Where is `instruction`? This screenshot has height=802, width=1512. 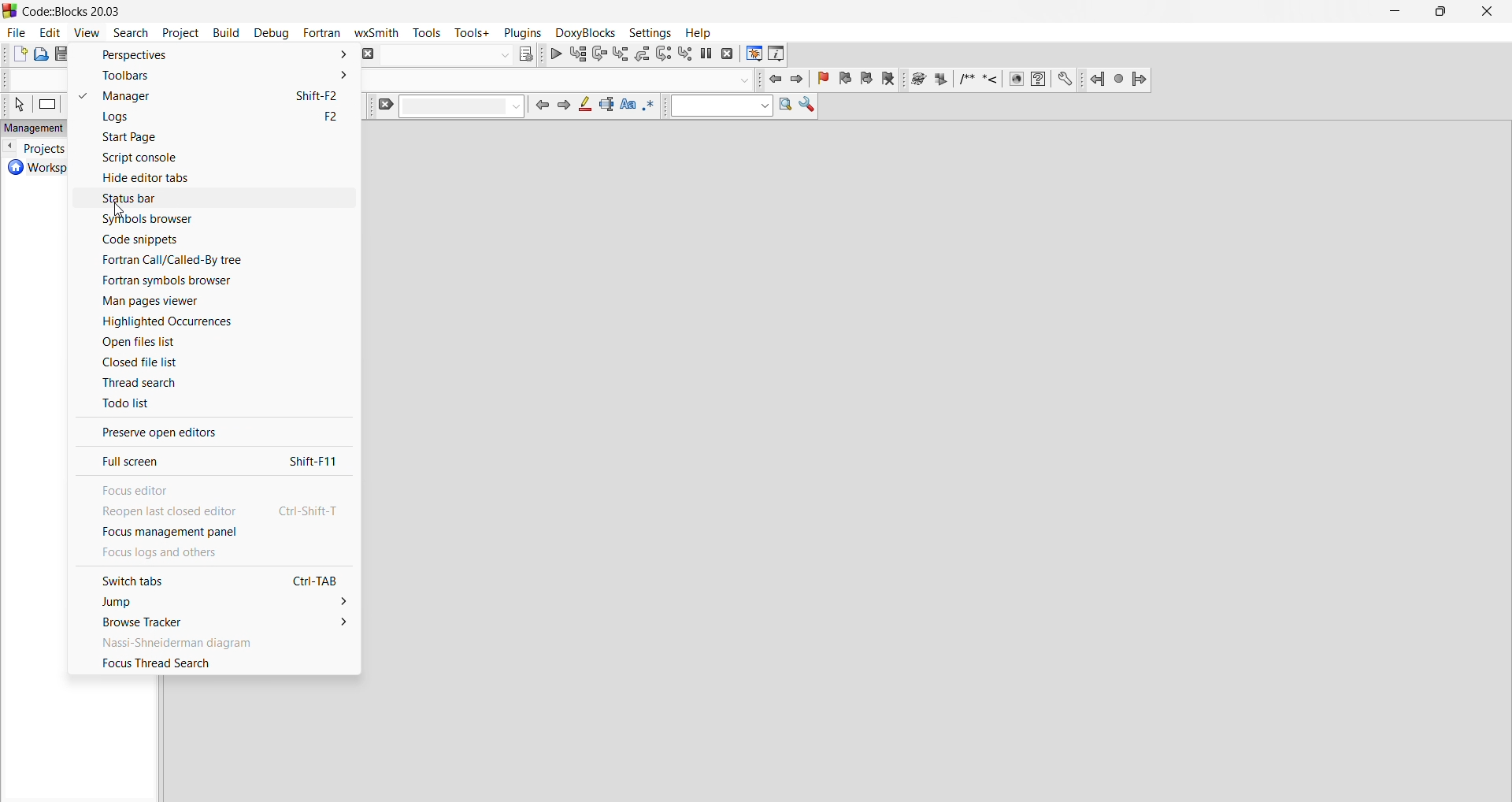
instruction is located at coordinates (53, 102).